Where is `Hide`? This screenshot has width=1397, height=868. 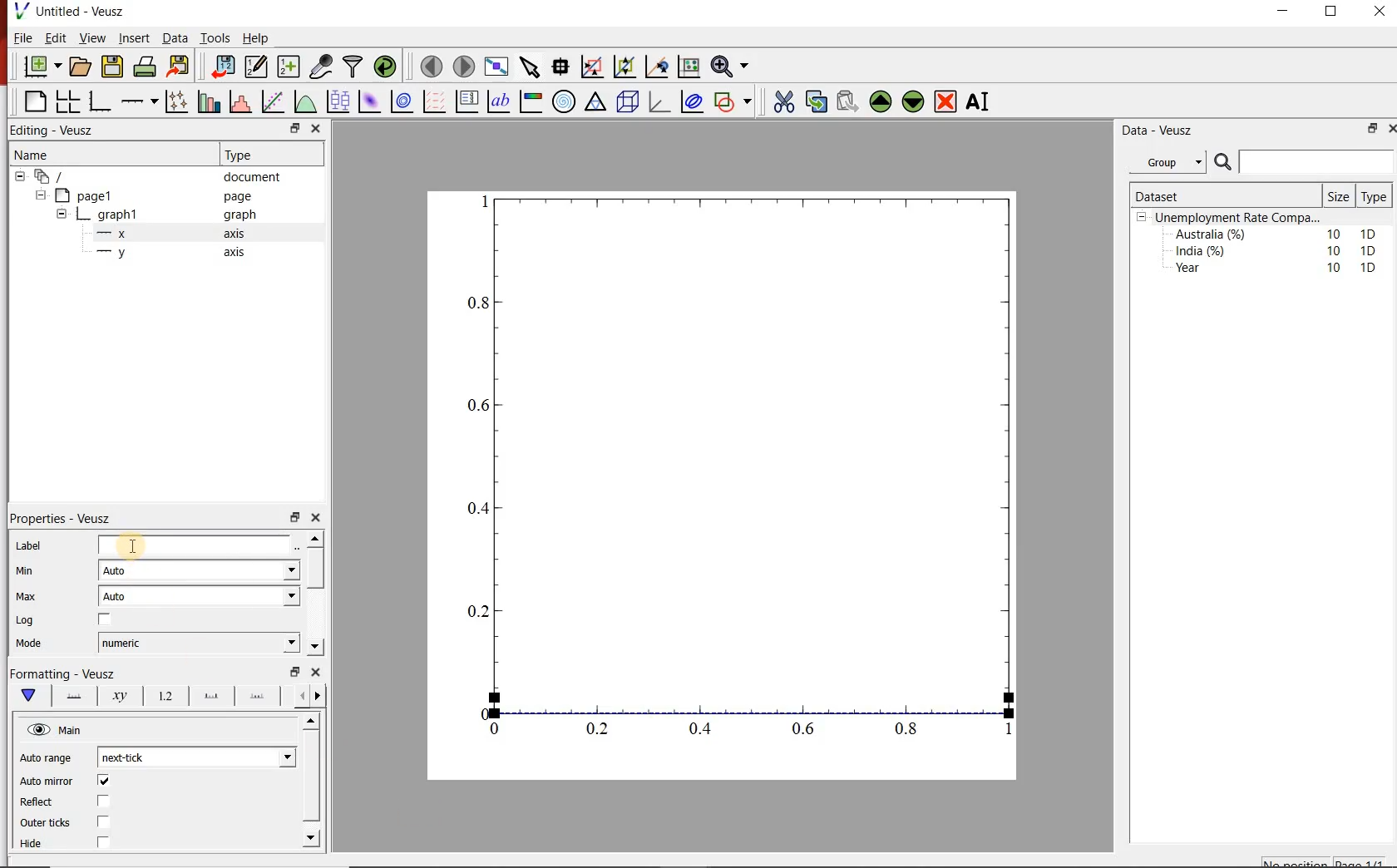
Hide is located at coordinates (32, 843).